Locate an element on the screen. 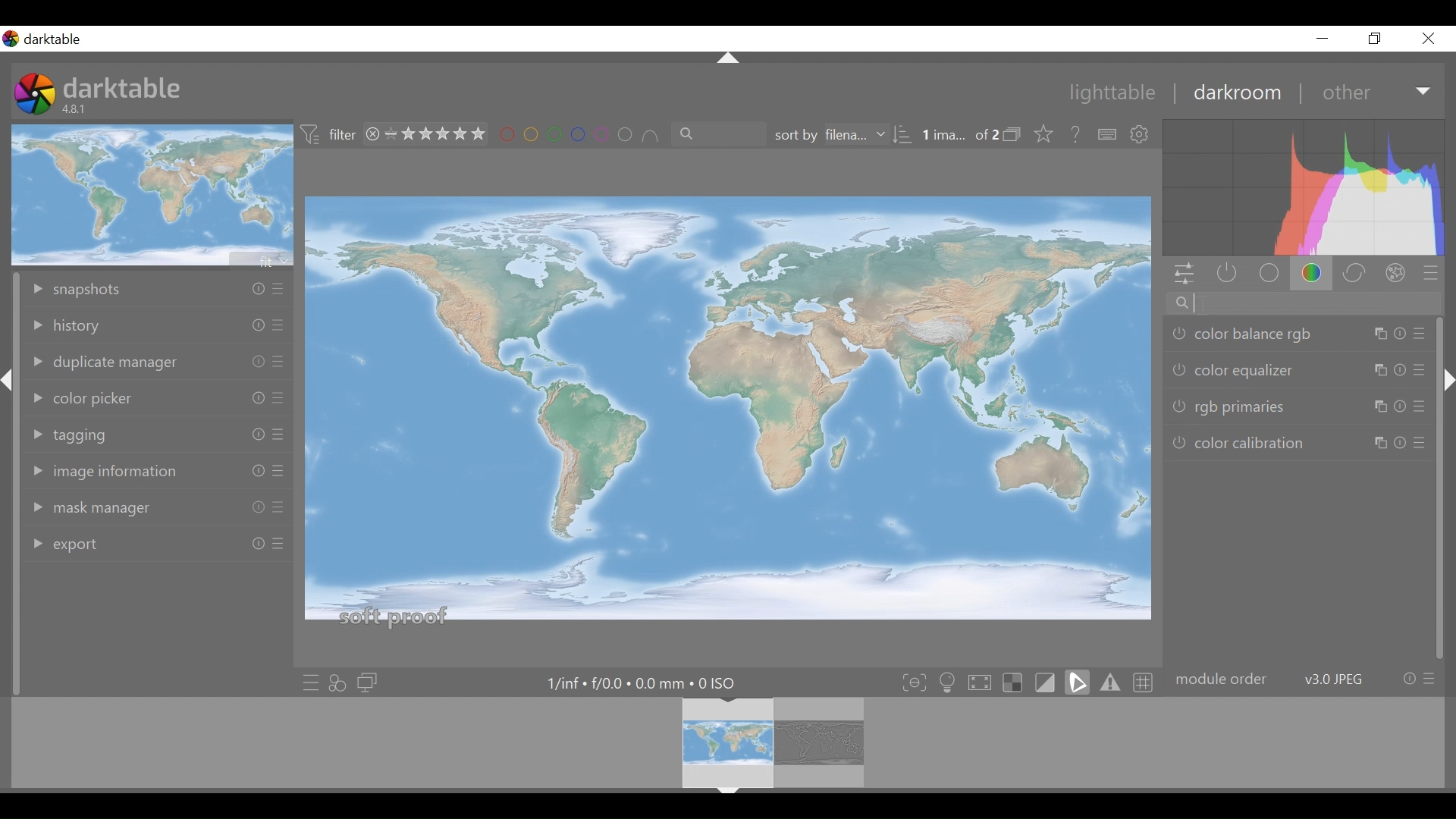 This screenshot has width=1456, height=819. lightable is located at coordinates (1113, 93).